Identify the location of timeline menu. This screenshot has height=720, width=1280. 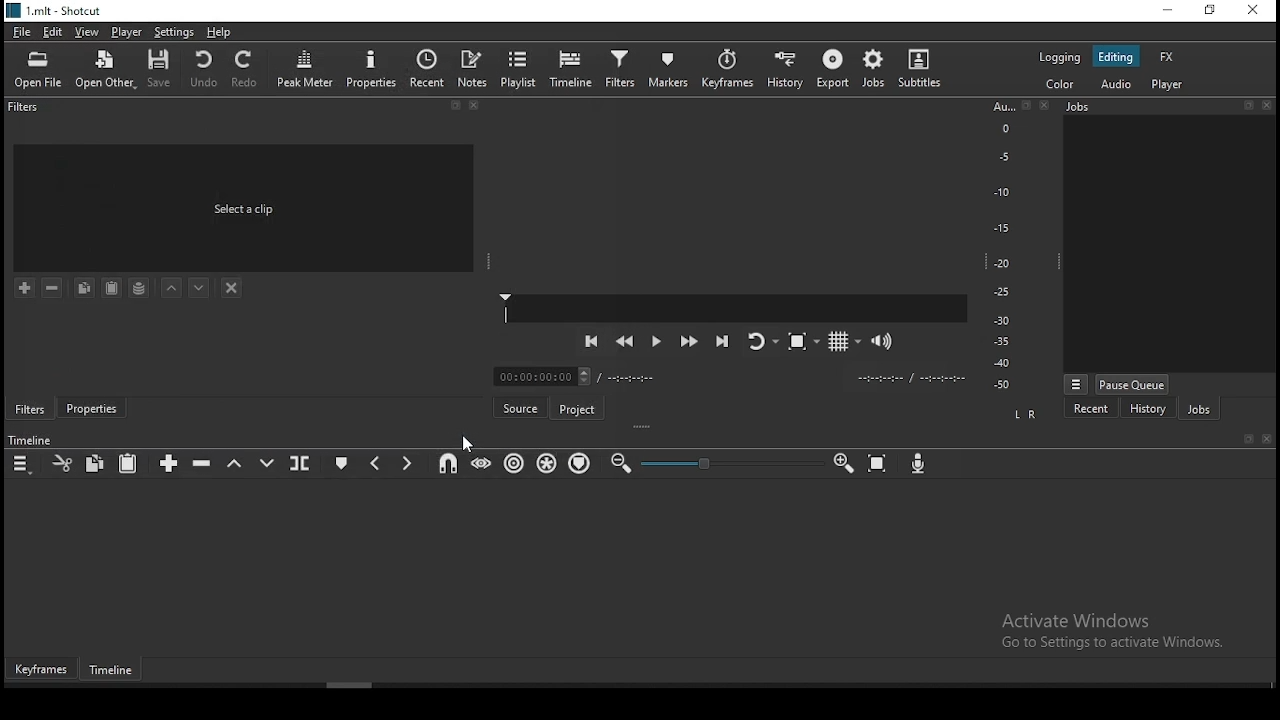
(22, 462).